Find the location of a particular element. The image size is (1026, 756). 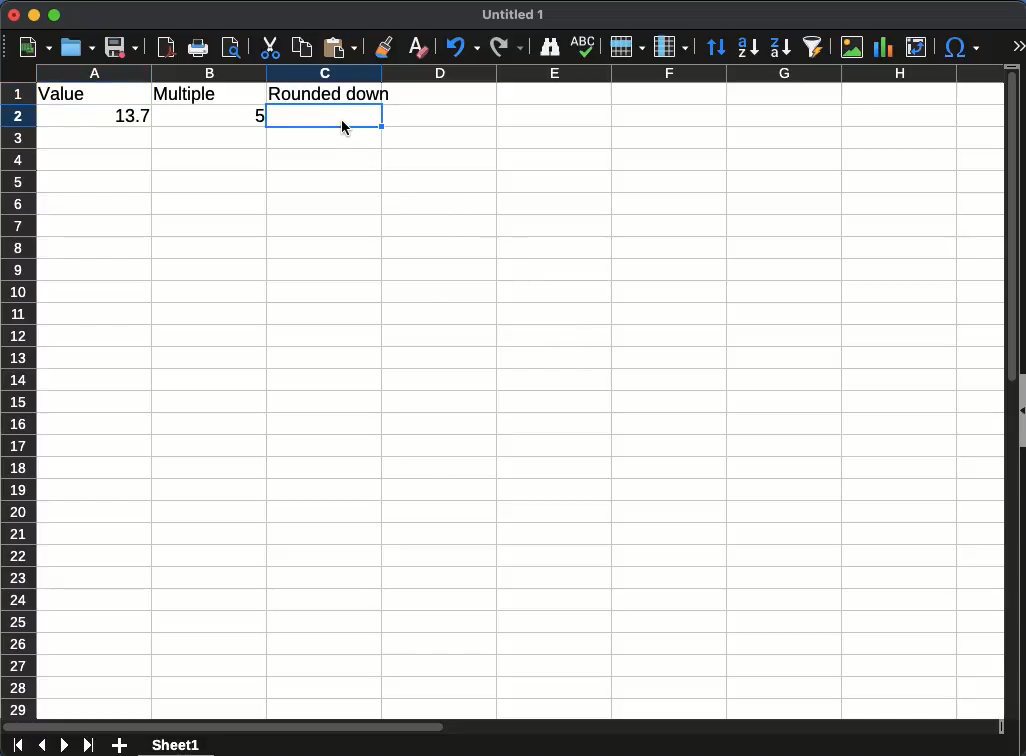

maximize is located at coordinates (56, 15).